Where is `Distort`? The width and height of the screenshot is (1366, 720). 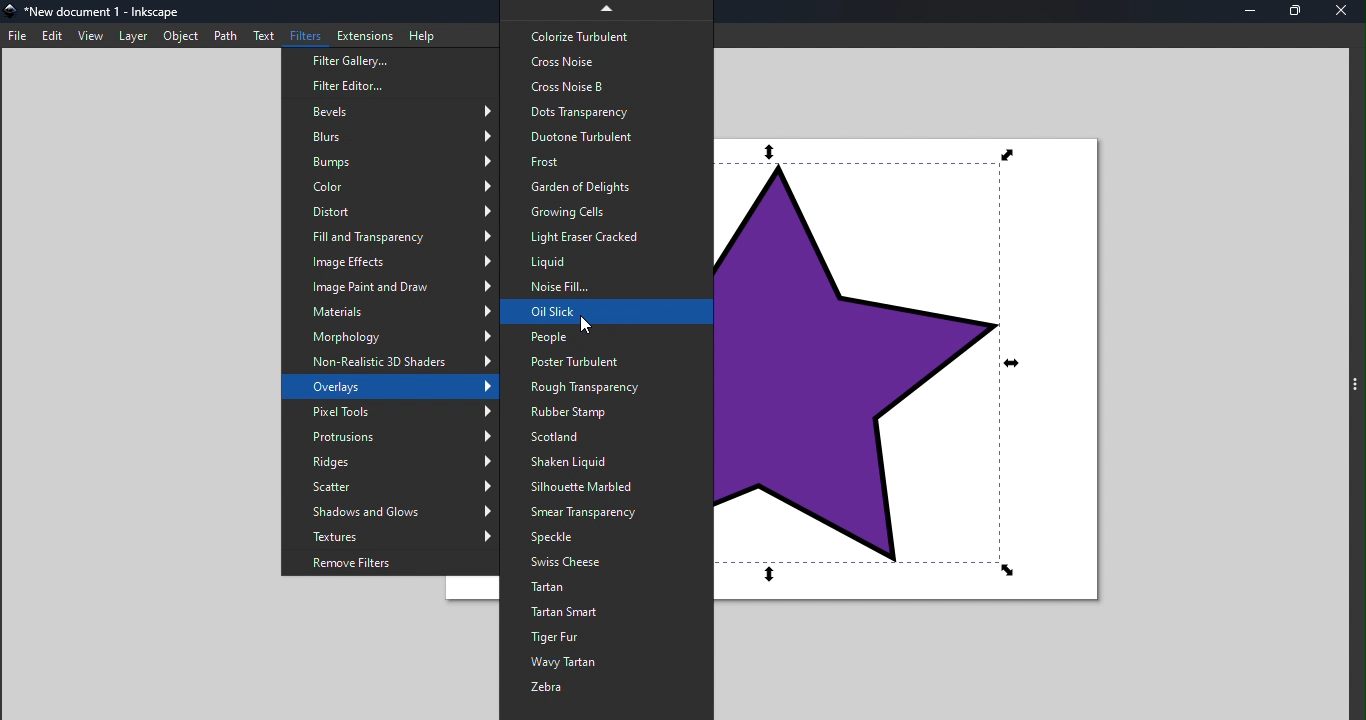
Distort is located at coordinates (390, 210).